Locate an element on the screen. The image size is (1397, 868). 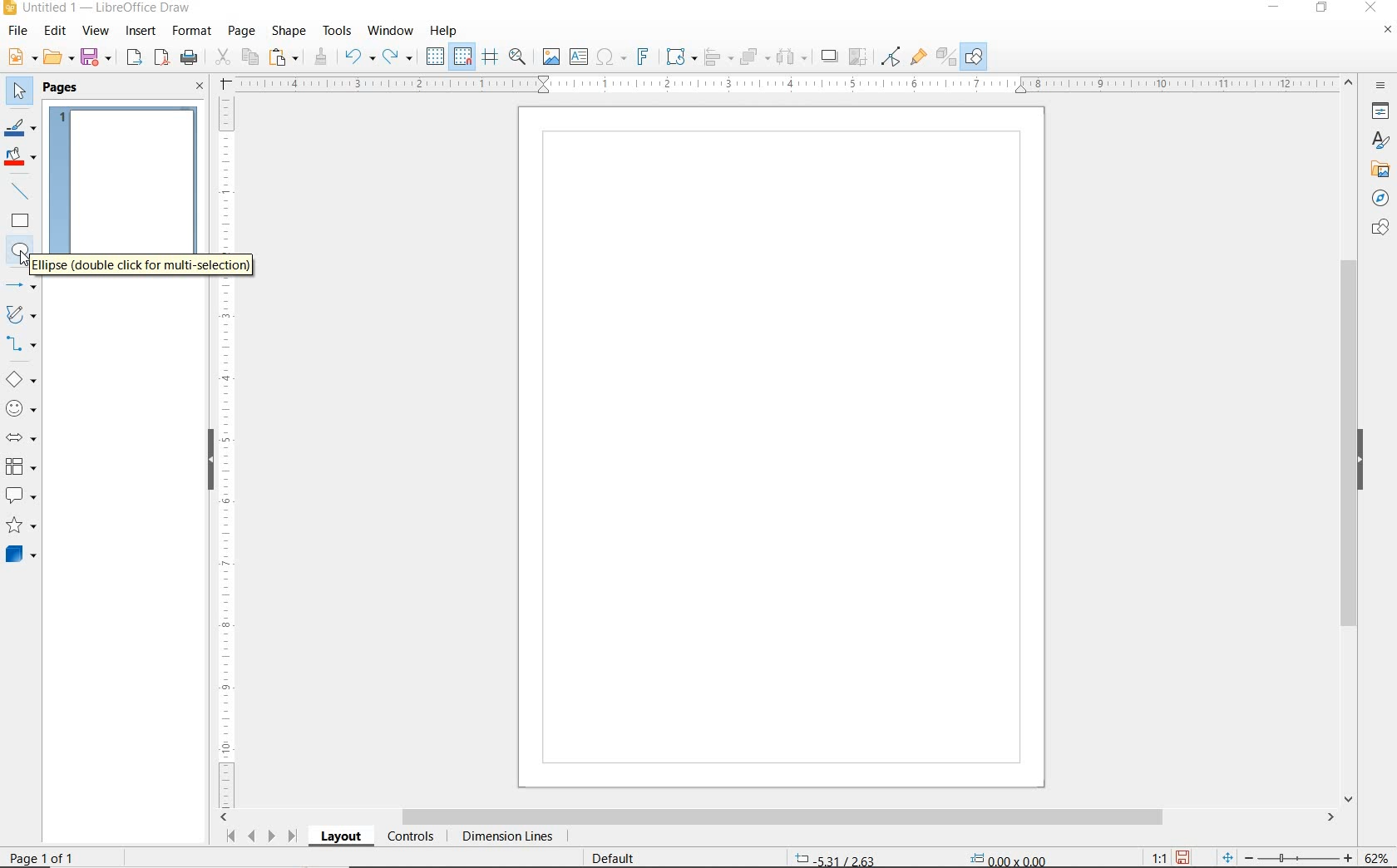
NAVIGATOR is located at coordinates (1375, 199).